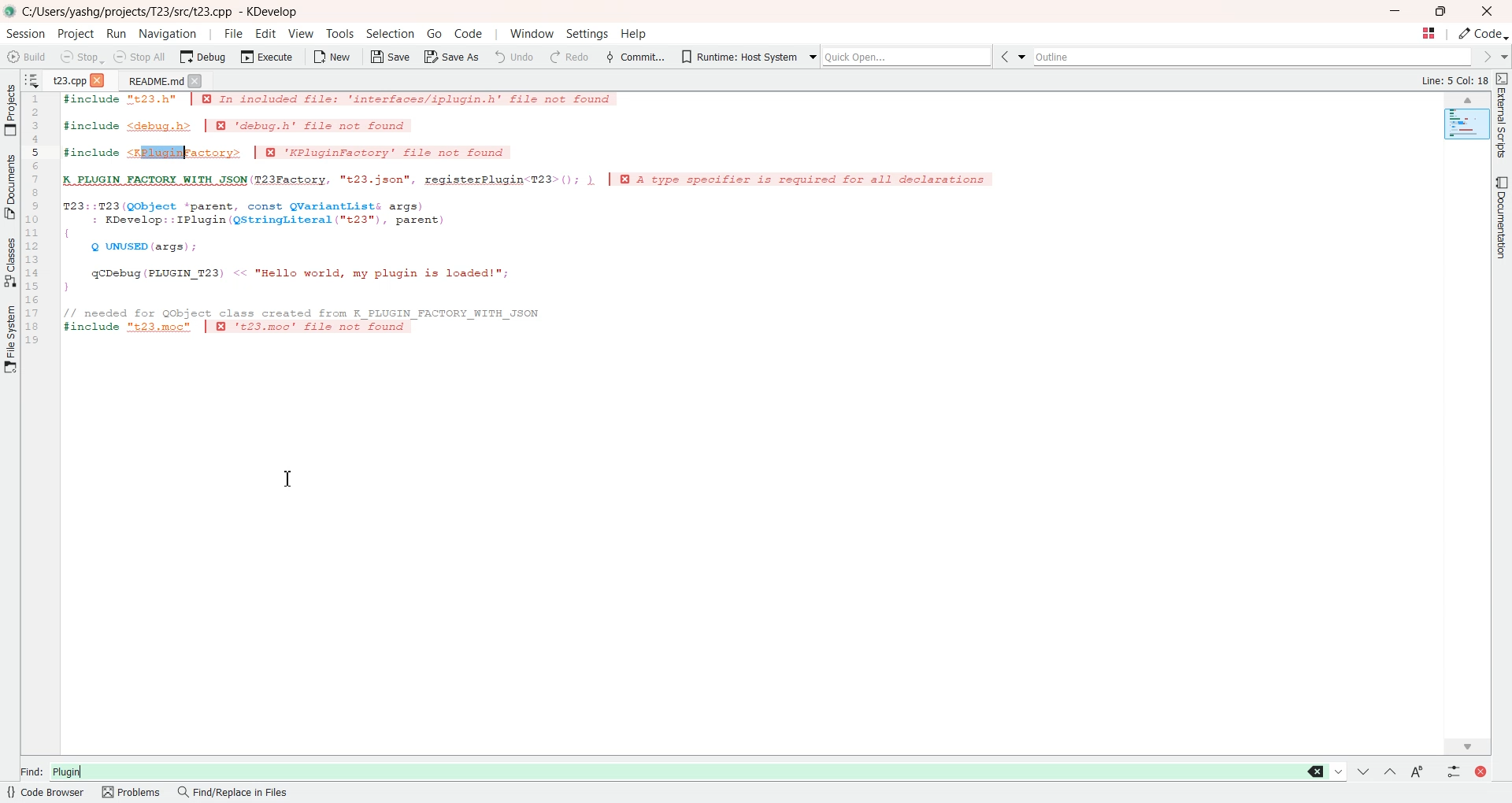 Image resolution: width=1512 pixels, height=803 pixels. Describe the element at coordinates (909, 57) in the screenshot. I see `Quick open` at that location.